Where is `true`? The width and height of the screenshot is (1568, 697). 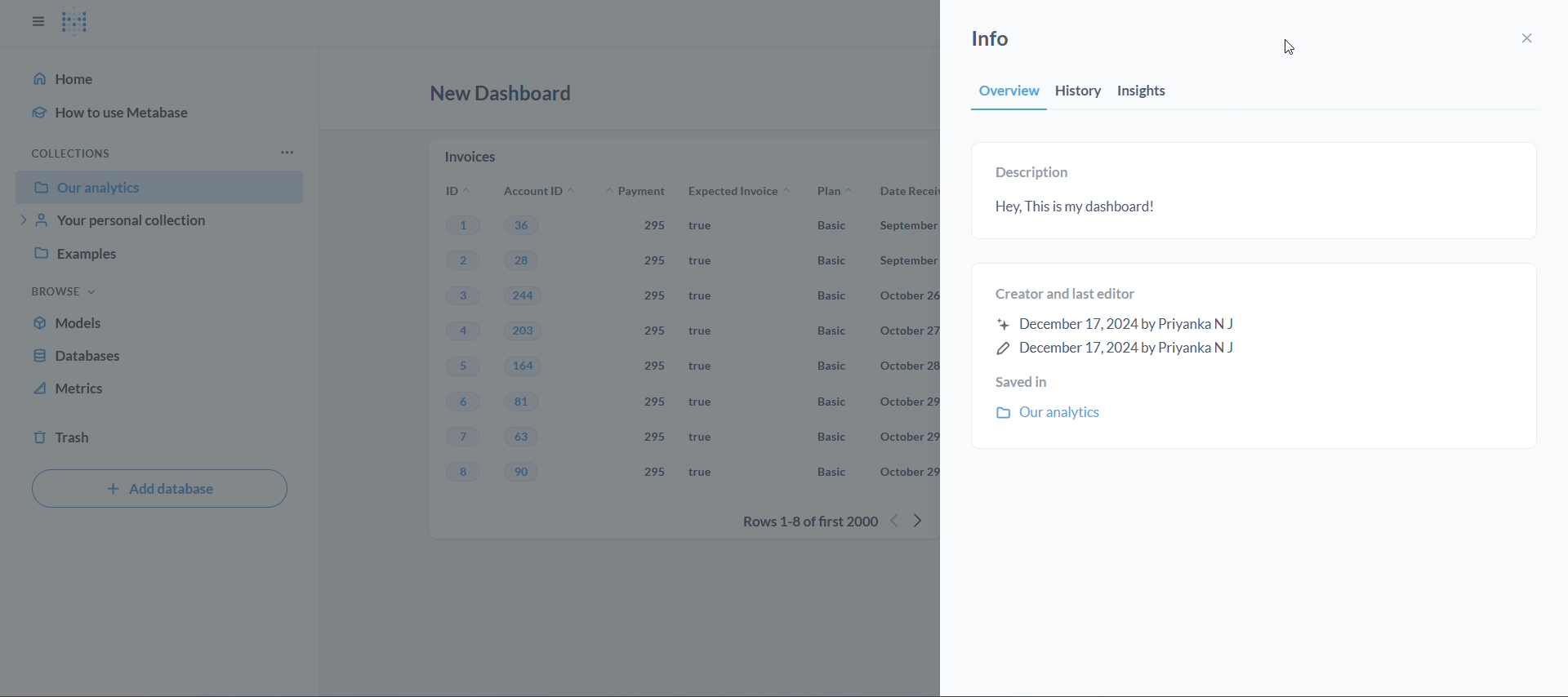
true is located at coordinates (698, 437).